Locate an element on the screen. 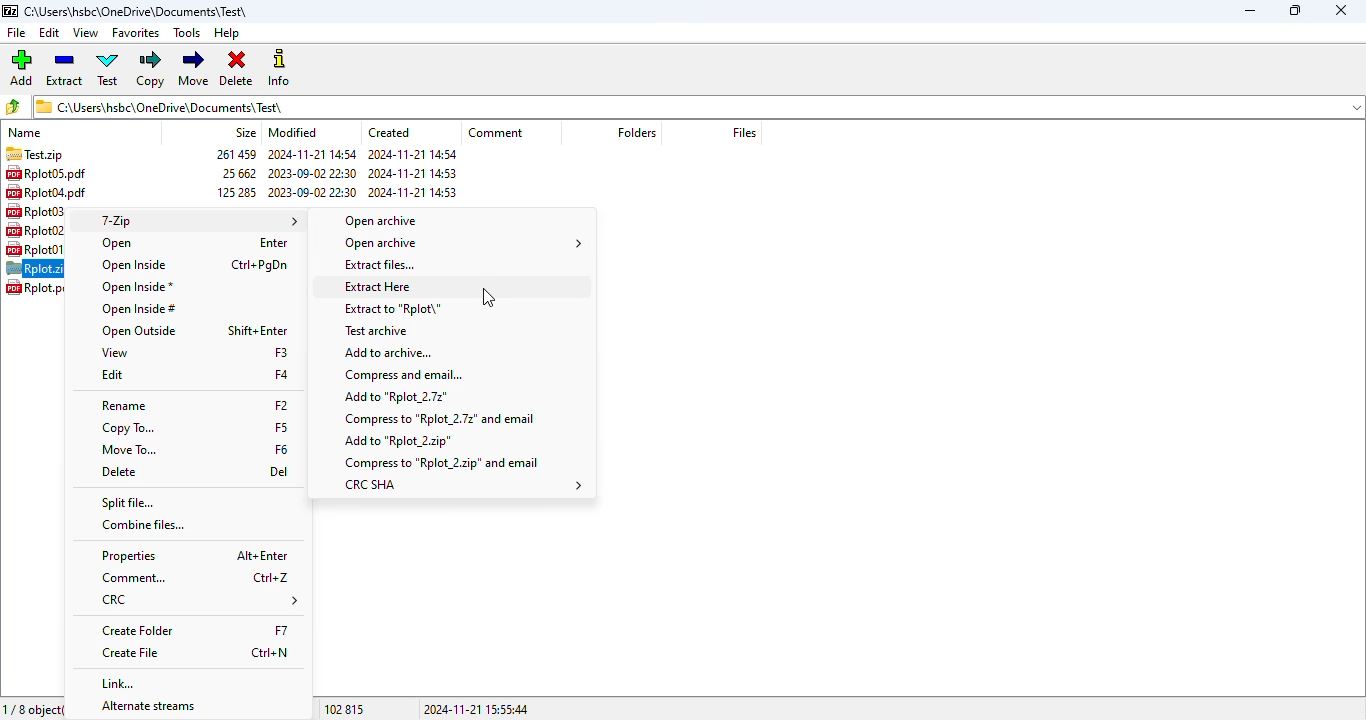 Image resolution: width=1366 pixels, height=720 pixels. 1/8 object(s) selected is located at coordinates (34, 710).